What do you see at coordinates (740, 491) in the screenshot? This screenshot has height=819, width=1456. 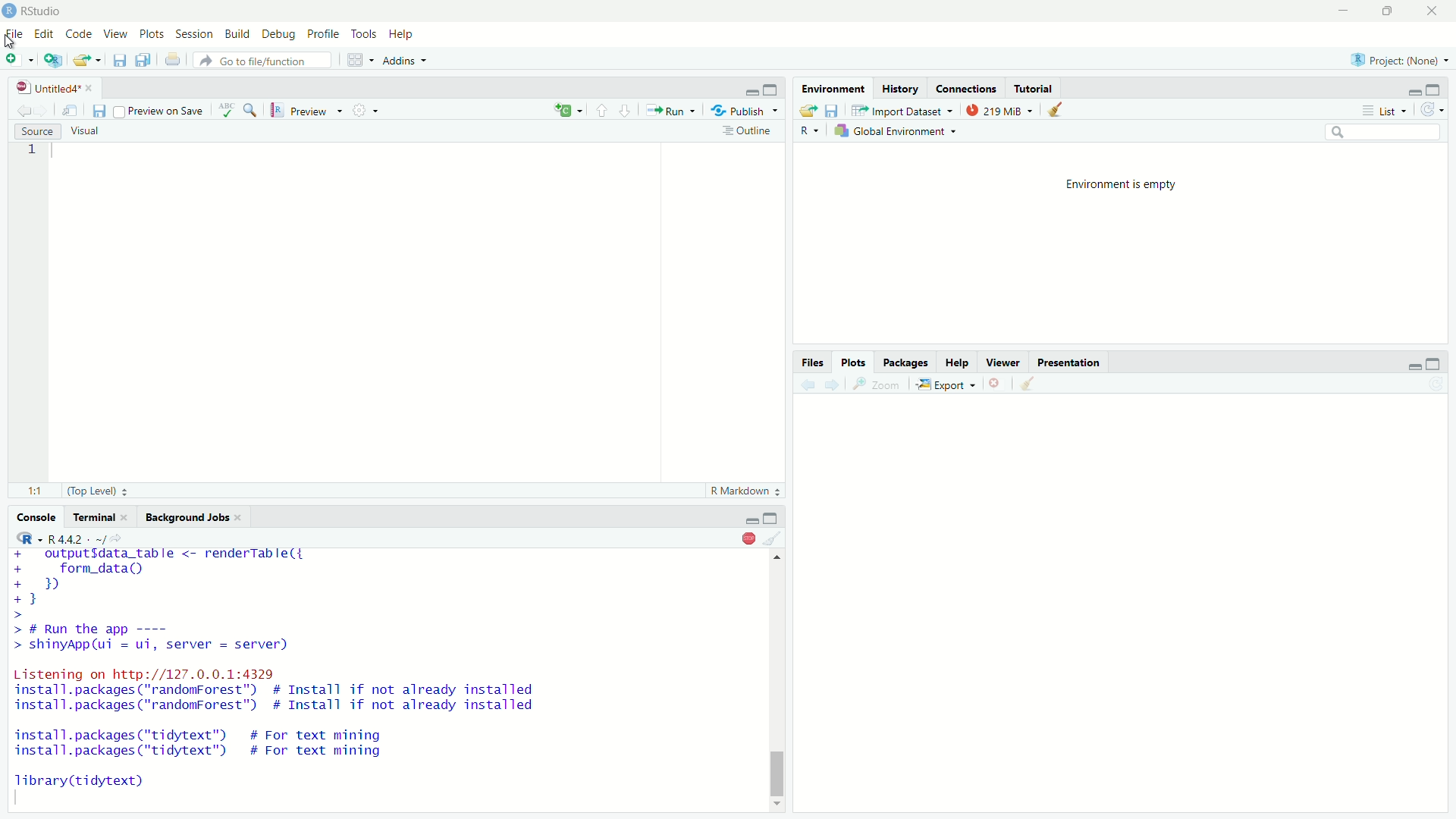 I see `markdown` at bounding box center [740, 491].